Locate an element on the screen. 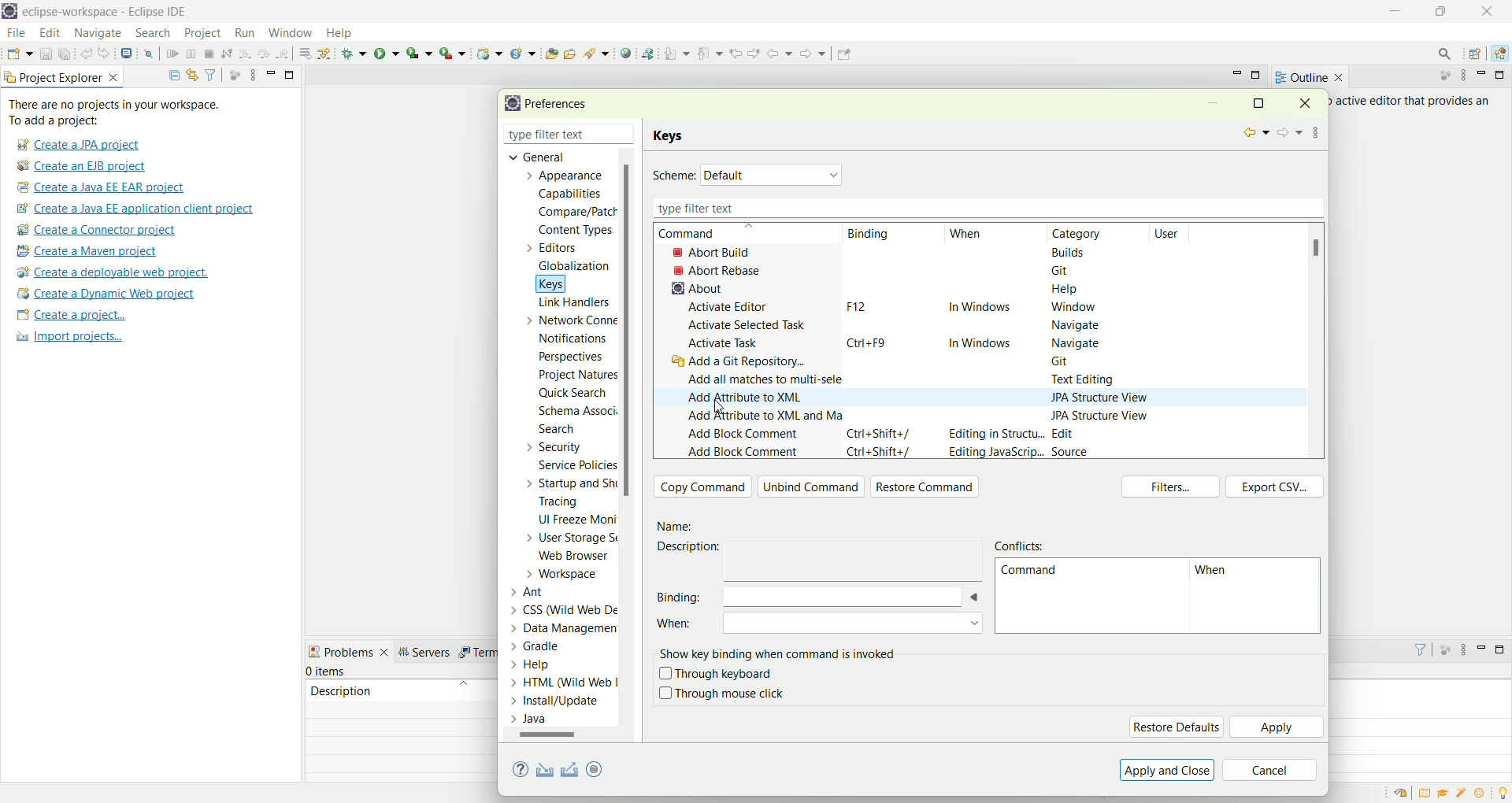  apply is located at coordinates (1278, 728).